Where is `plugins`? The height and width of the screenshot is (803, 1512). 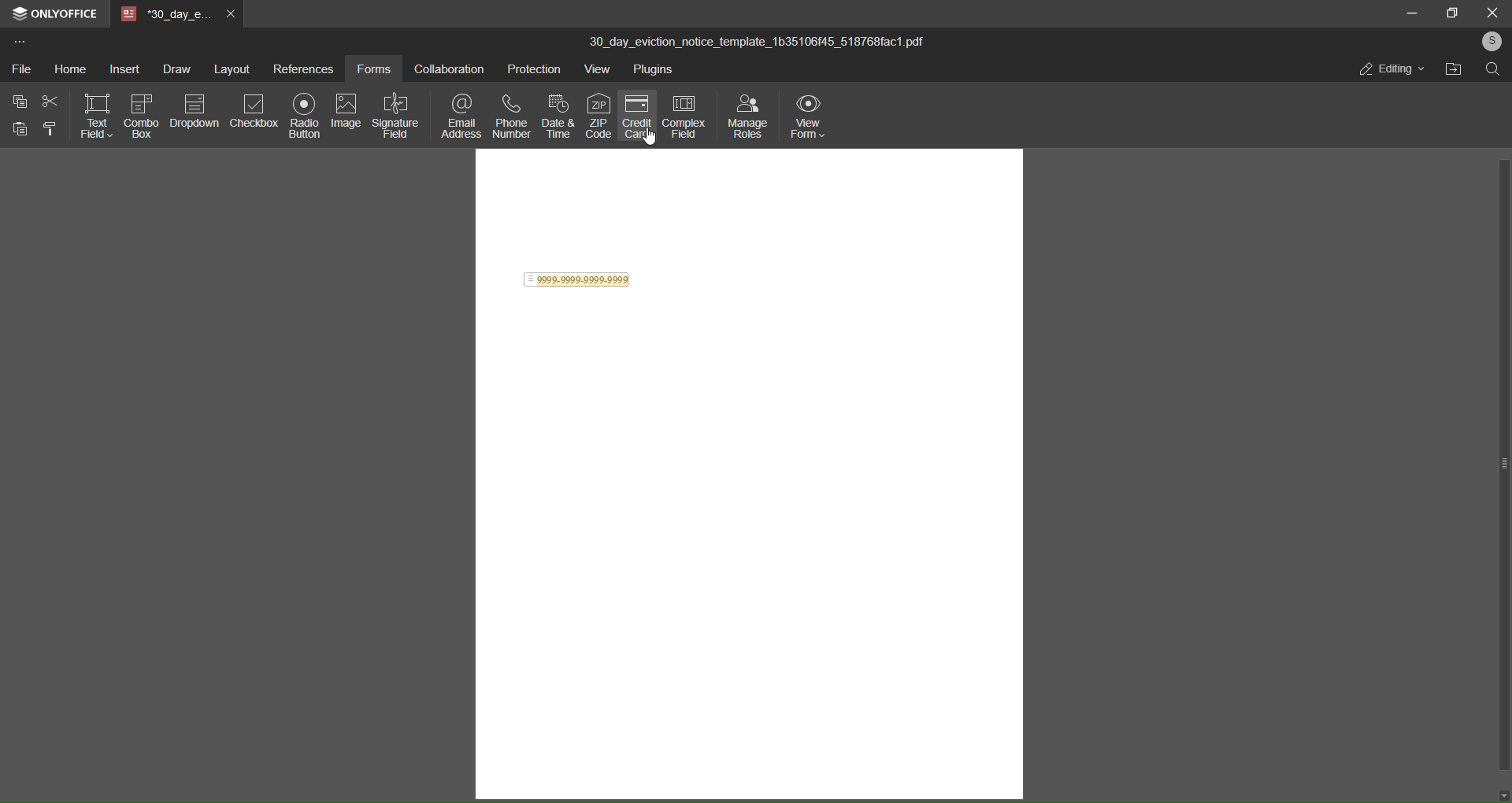
plugins is located at coordinates (655, 71).